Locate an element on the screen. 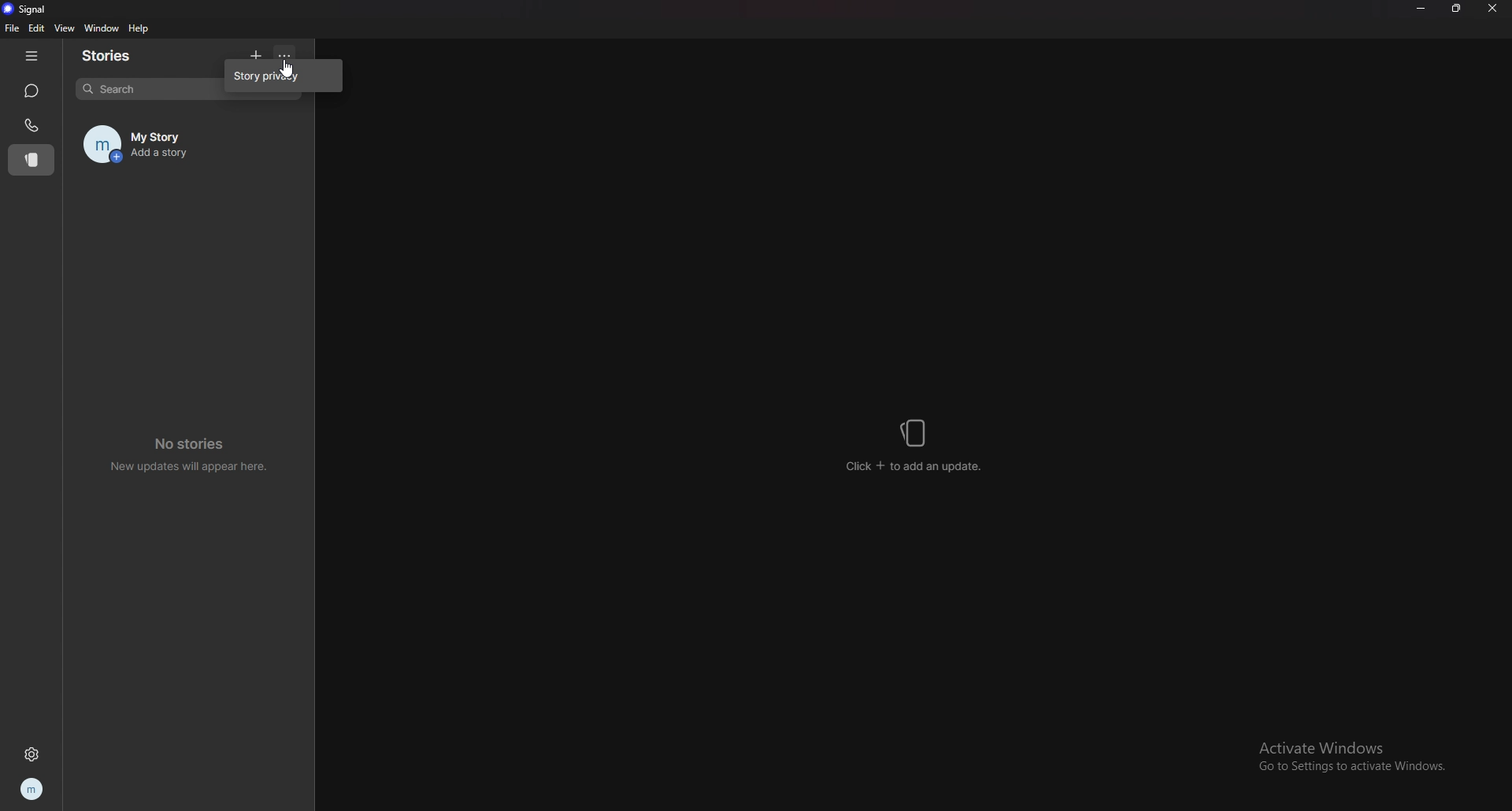 The width and height of the screenshot is (1512, 811). cursor is located at coordinates (285, 67).